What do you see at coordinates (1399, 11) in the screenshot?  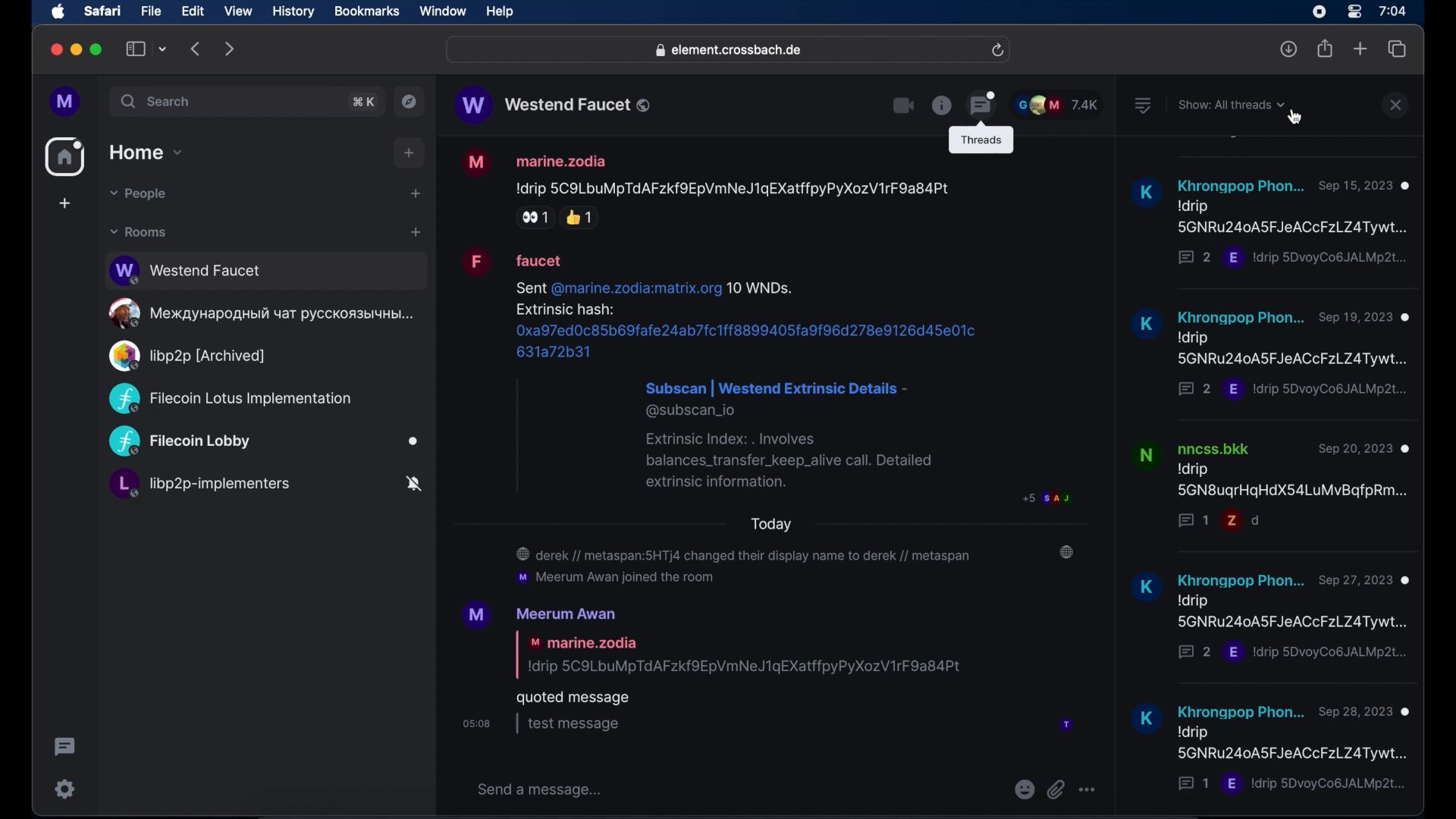 I see `7:04` at bounding box center [1399, 11].